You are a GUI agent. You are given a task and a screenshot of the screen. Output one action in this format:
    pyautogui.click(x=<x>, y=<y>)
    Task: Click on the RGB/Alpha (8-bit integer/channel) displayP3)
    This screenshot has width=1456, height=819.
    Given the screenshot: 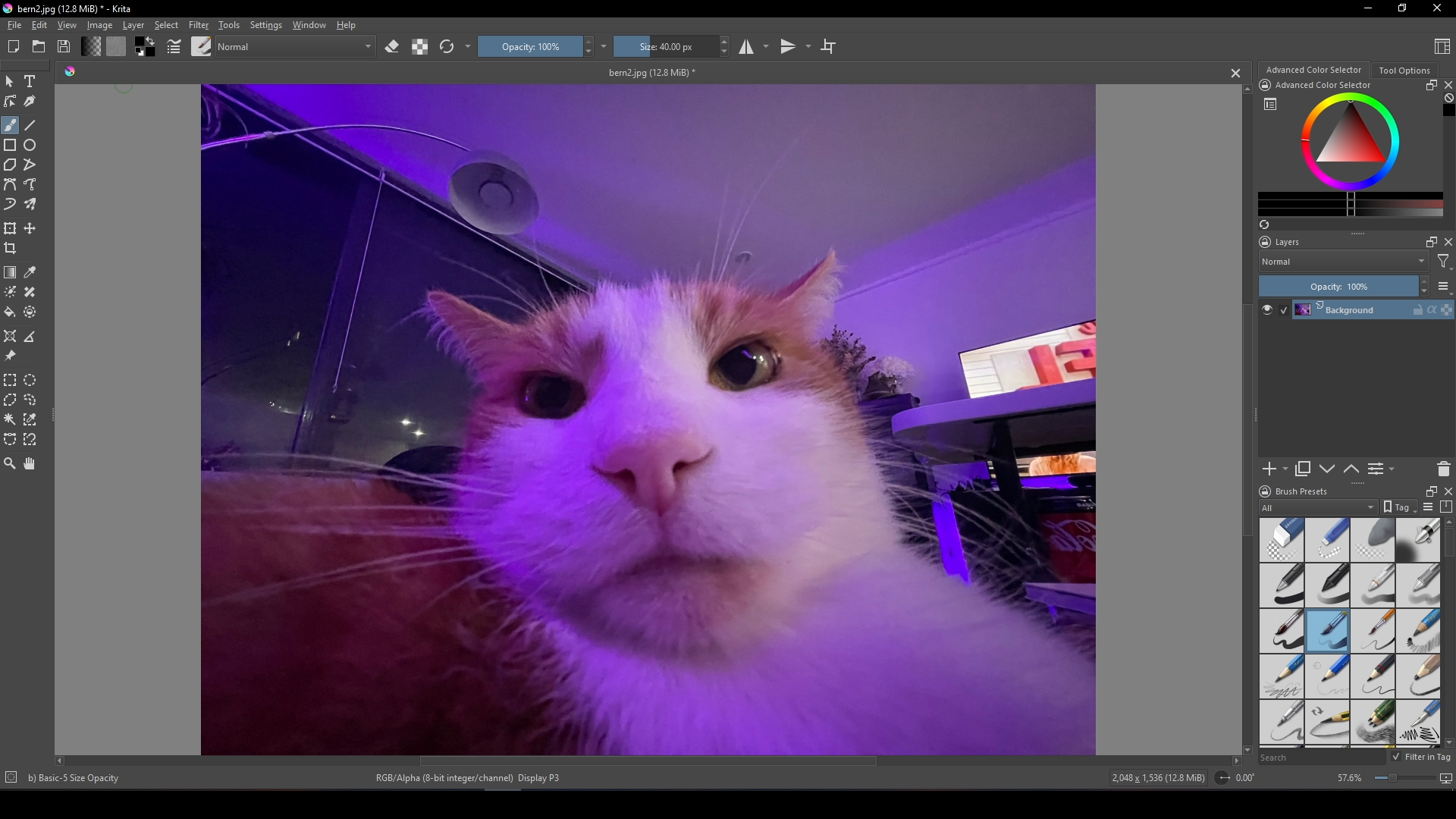 What is the action you would take?
    pyautogui.click(x=470, y=777)
    